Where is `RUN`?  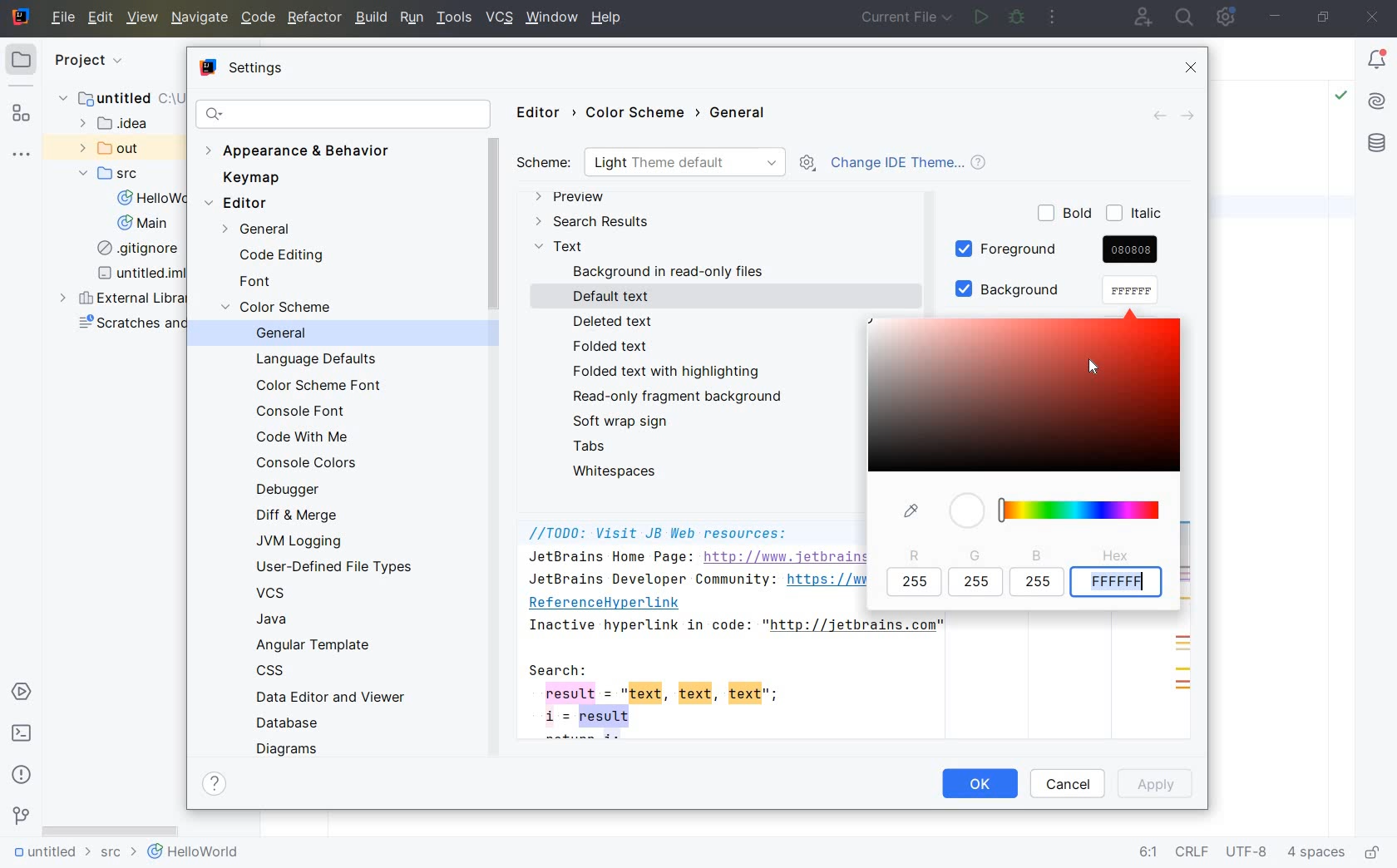
RUN is located at coordinates (412, 18).